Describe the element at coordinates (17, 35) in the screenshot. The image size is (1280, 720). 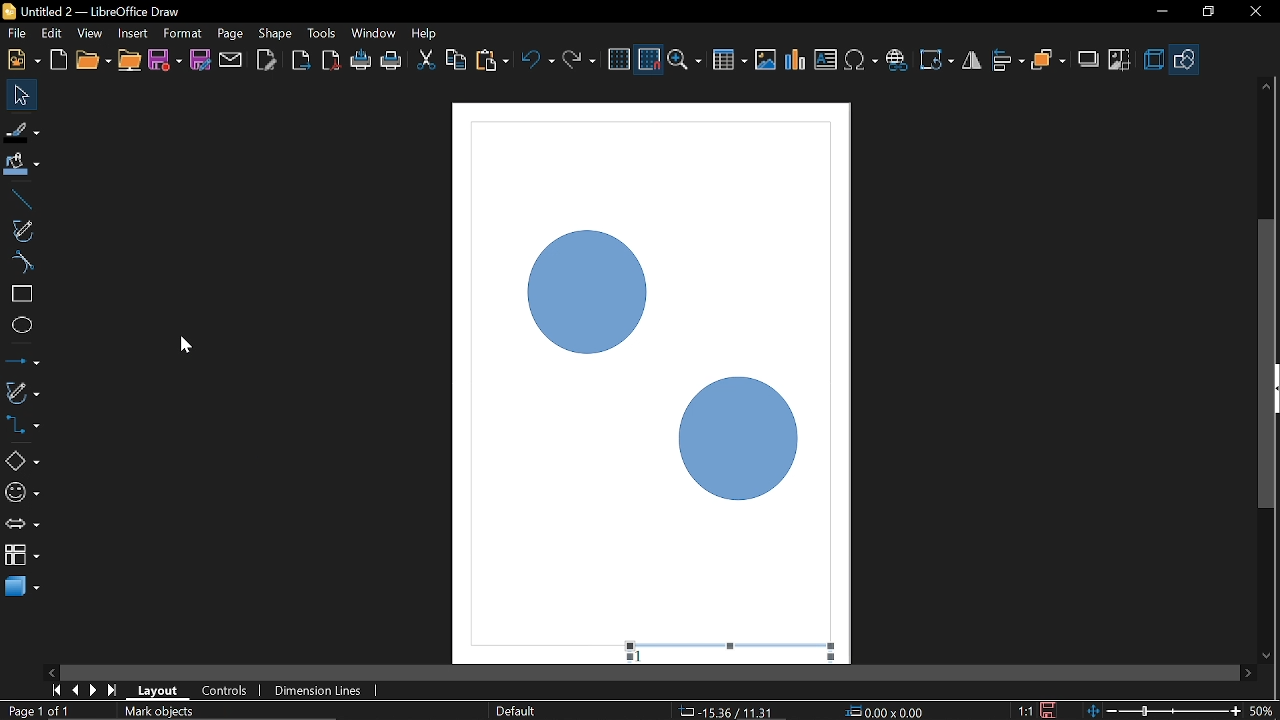
I see `file` at that location.